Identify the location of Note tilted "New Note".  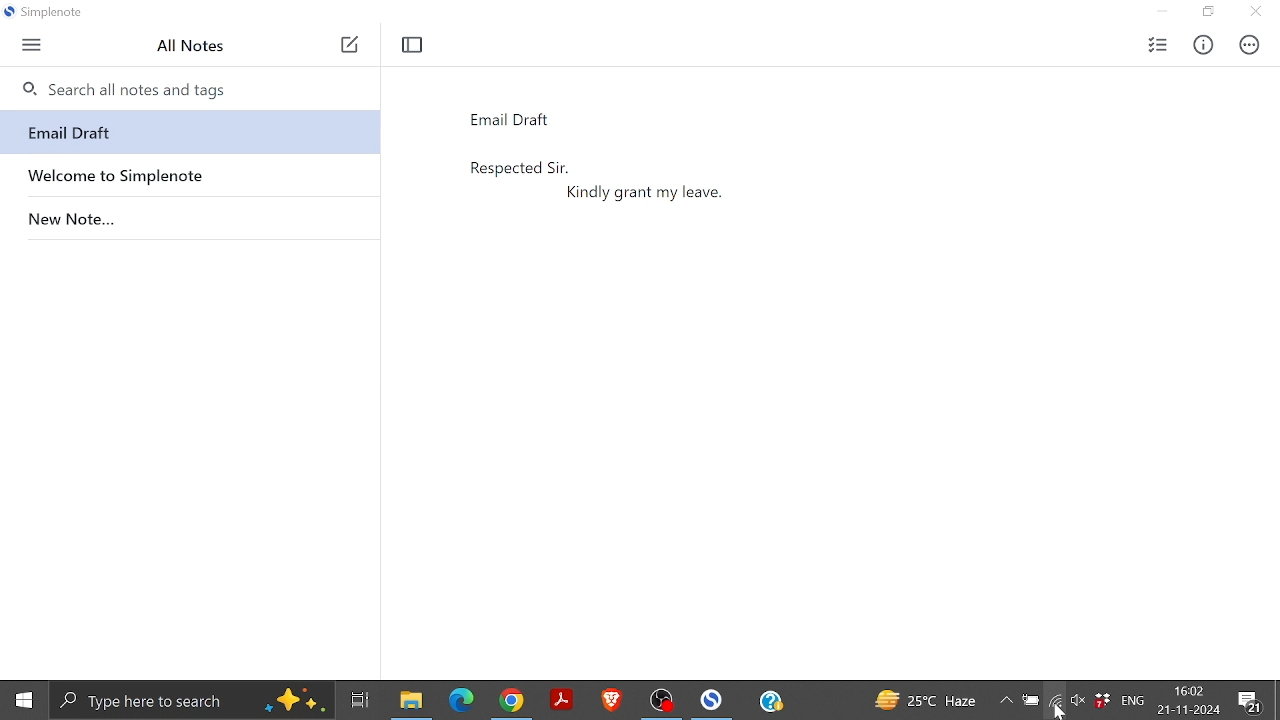
(188, 215).